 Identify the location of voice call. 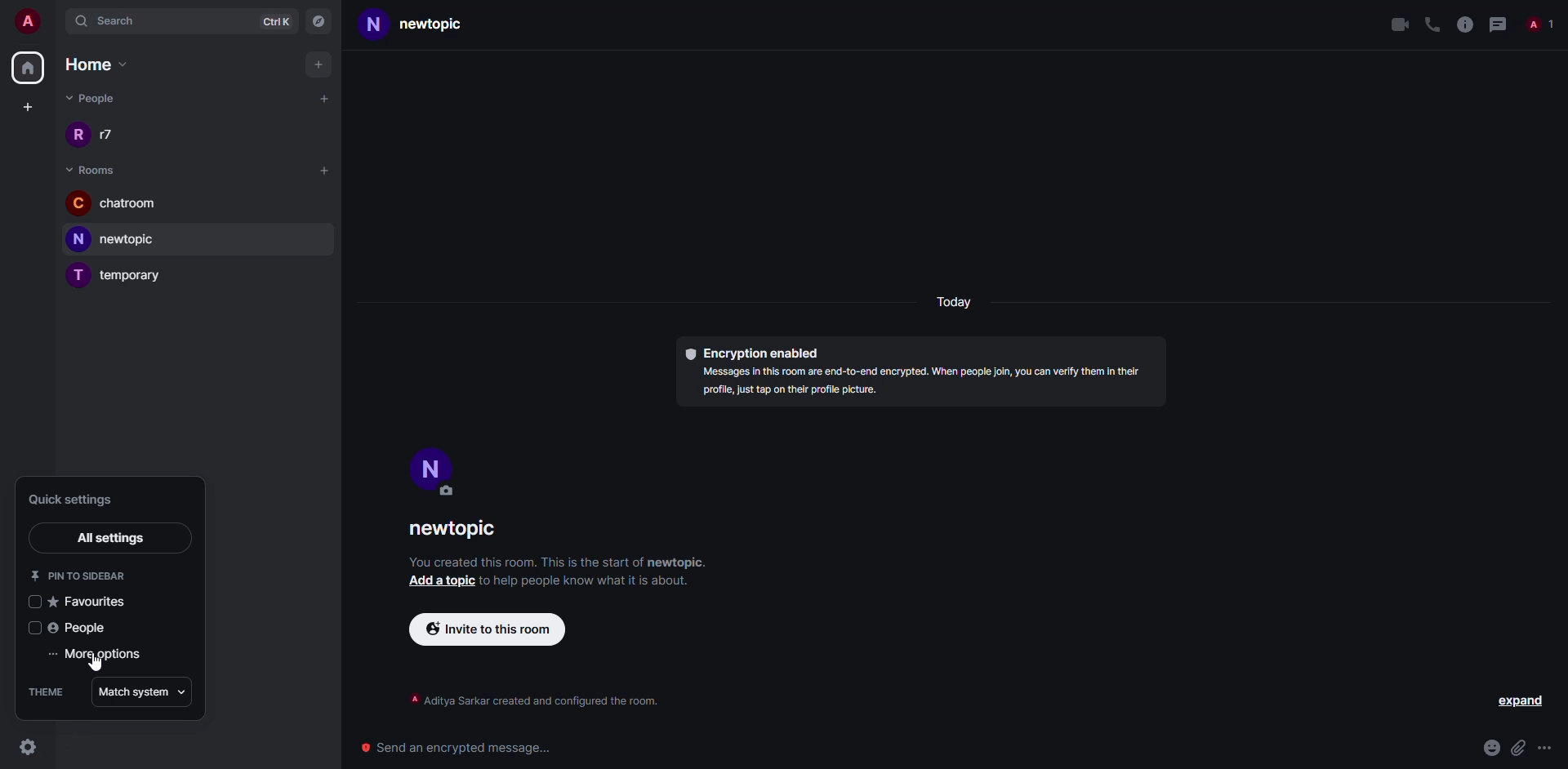
(1432, 24).